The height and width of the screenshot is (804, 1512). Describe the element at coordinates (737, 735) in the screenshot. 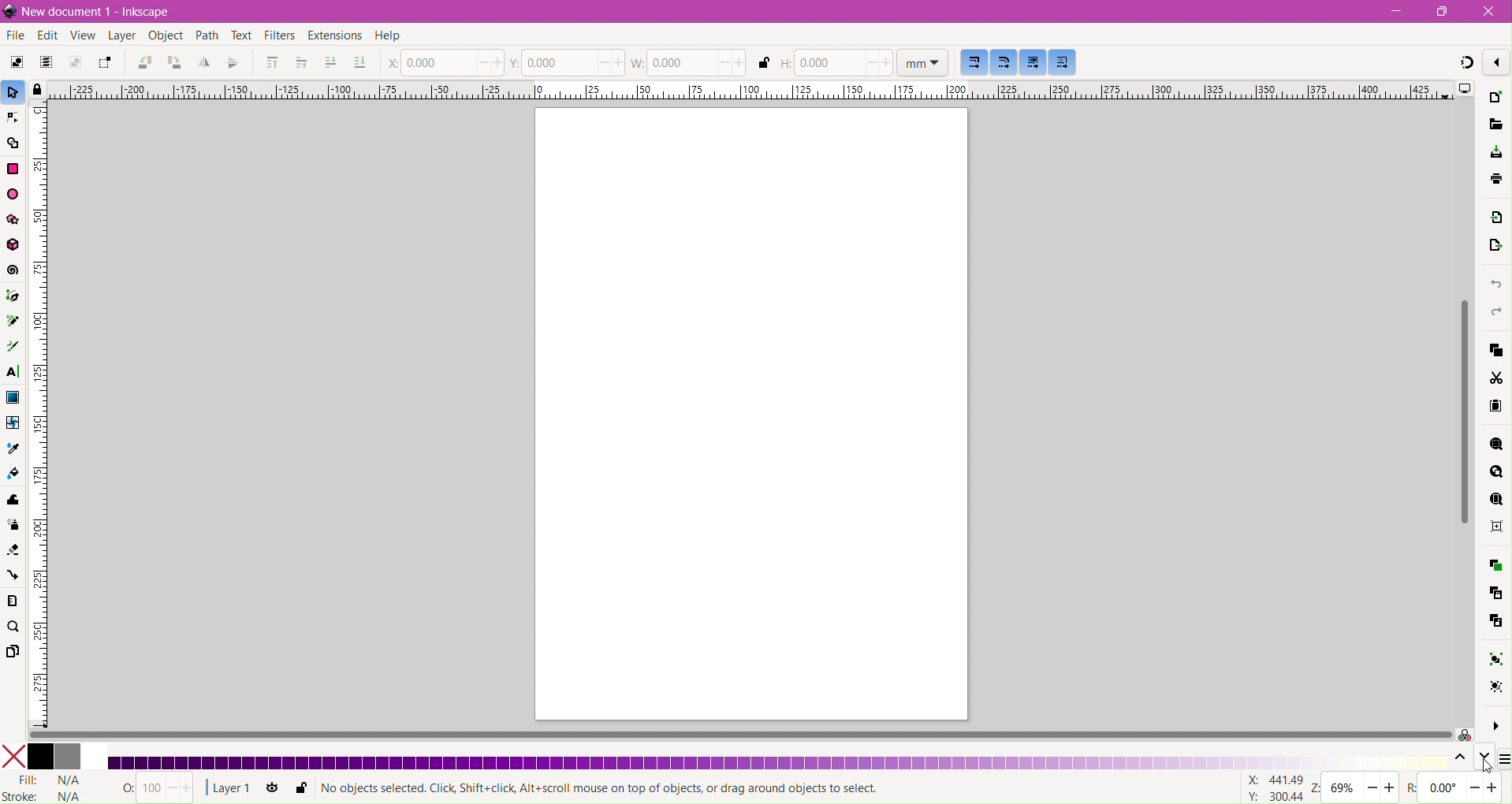

I see `Horizontal Scroll Bar` at that location.